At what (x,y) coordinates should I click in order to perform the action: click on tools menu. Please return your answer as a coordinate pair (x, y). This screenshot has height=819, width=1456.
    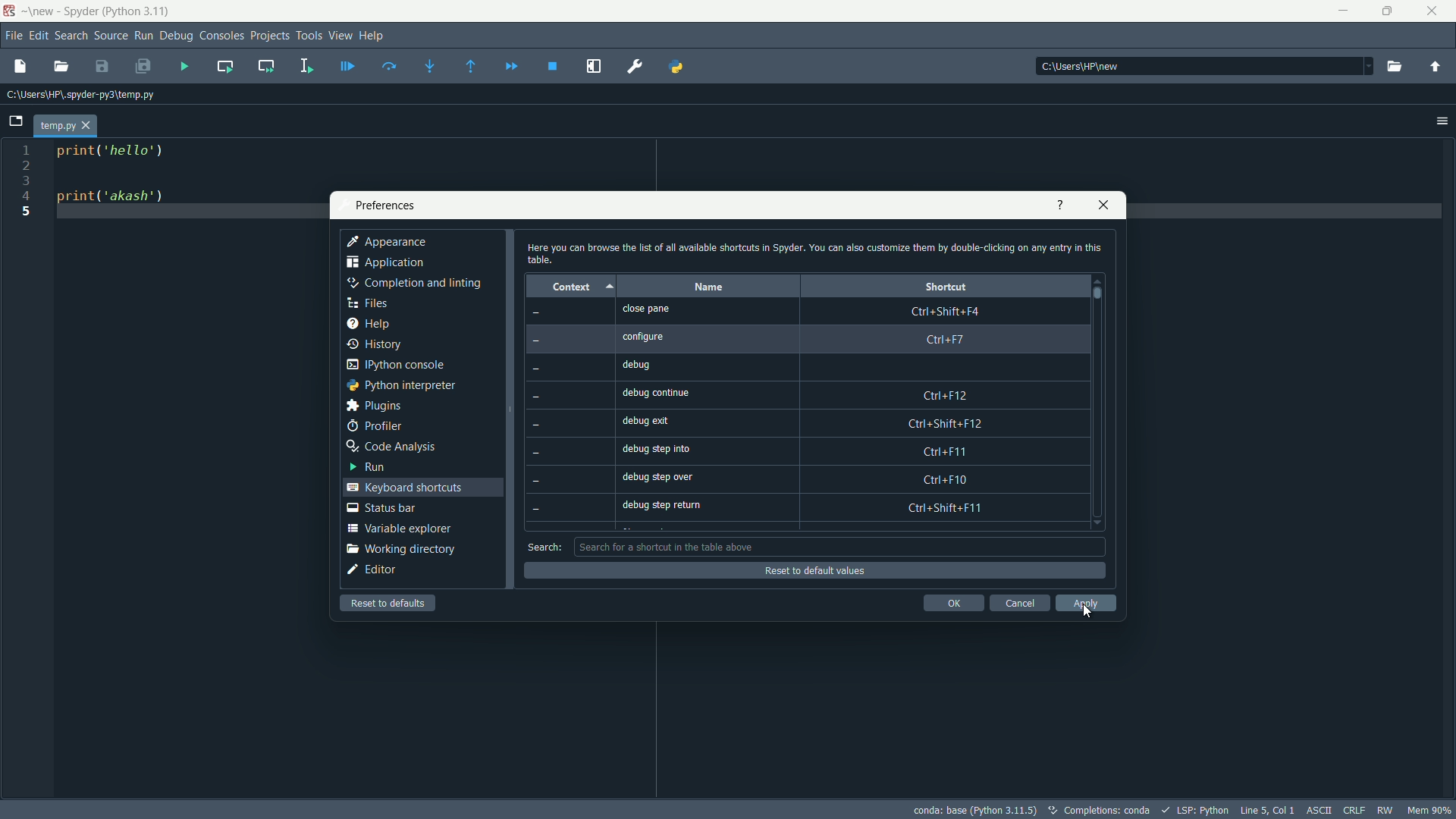
    Looking at the image, I should click on (309, 35).